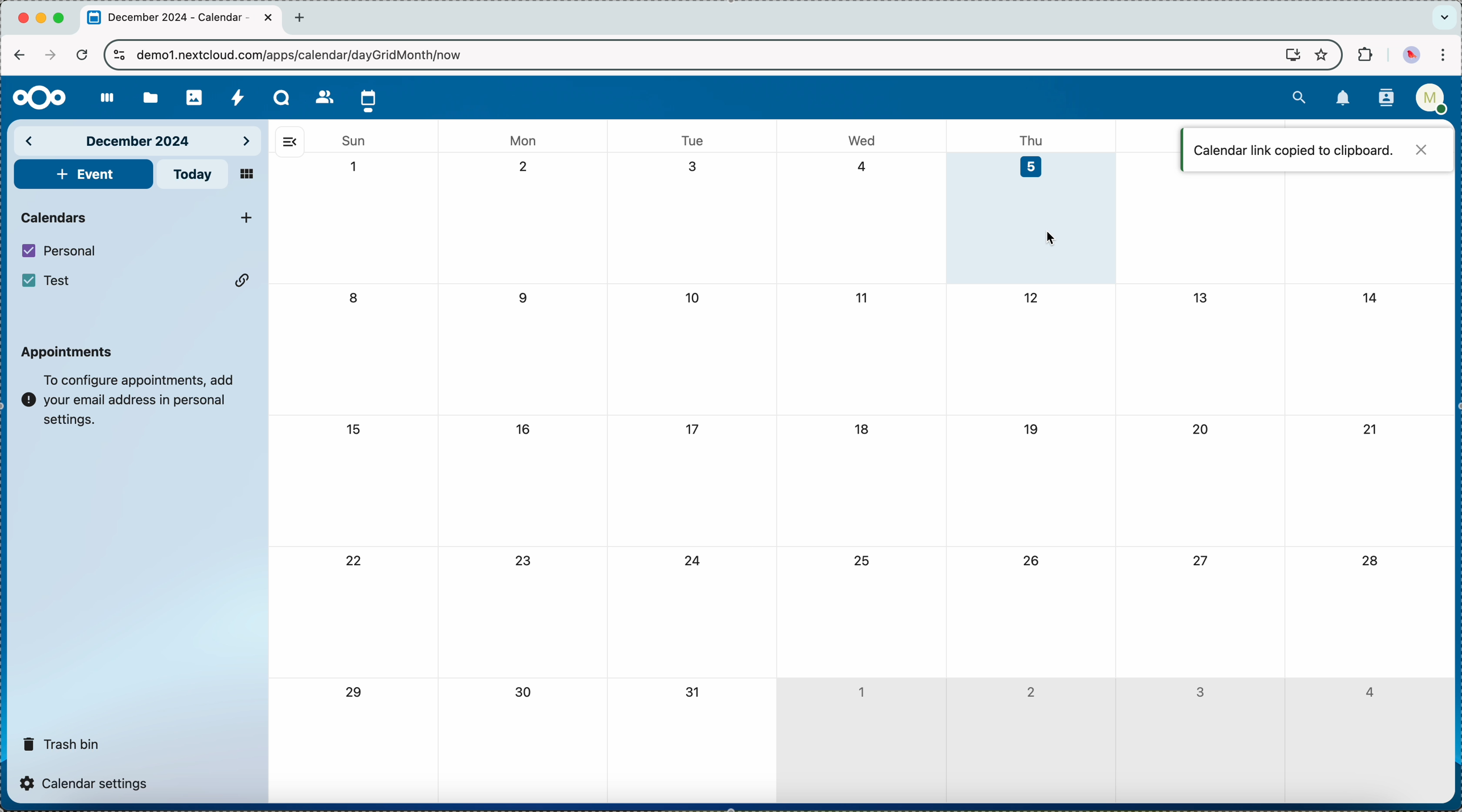  I want to click on 24, so click(694, 562).